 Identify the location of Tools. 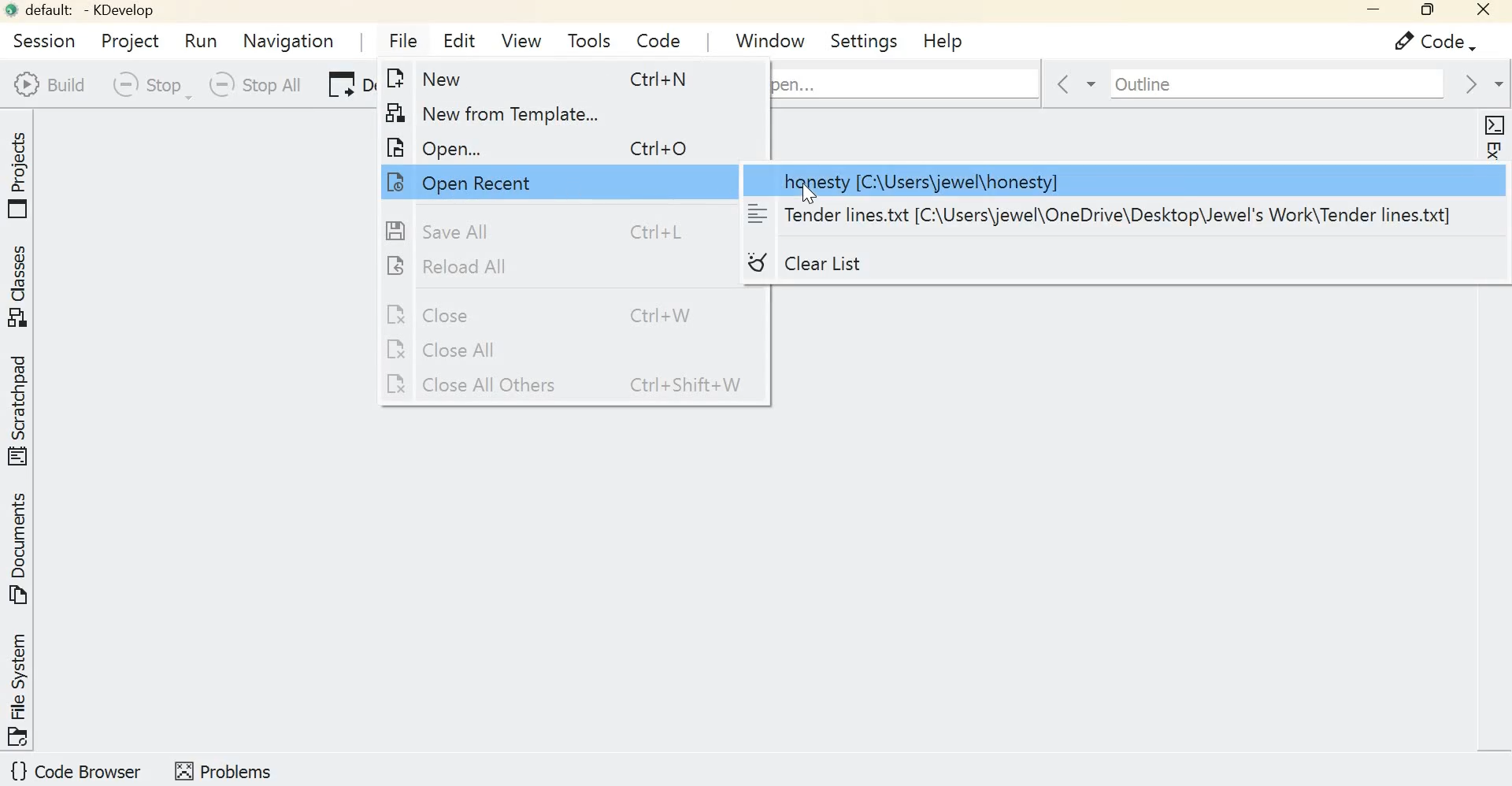
(589, 40).